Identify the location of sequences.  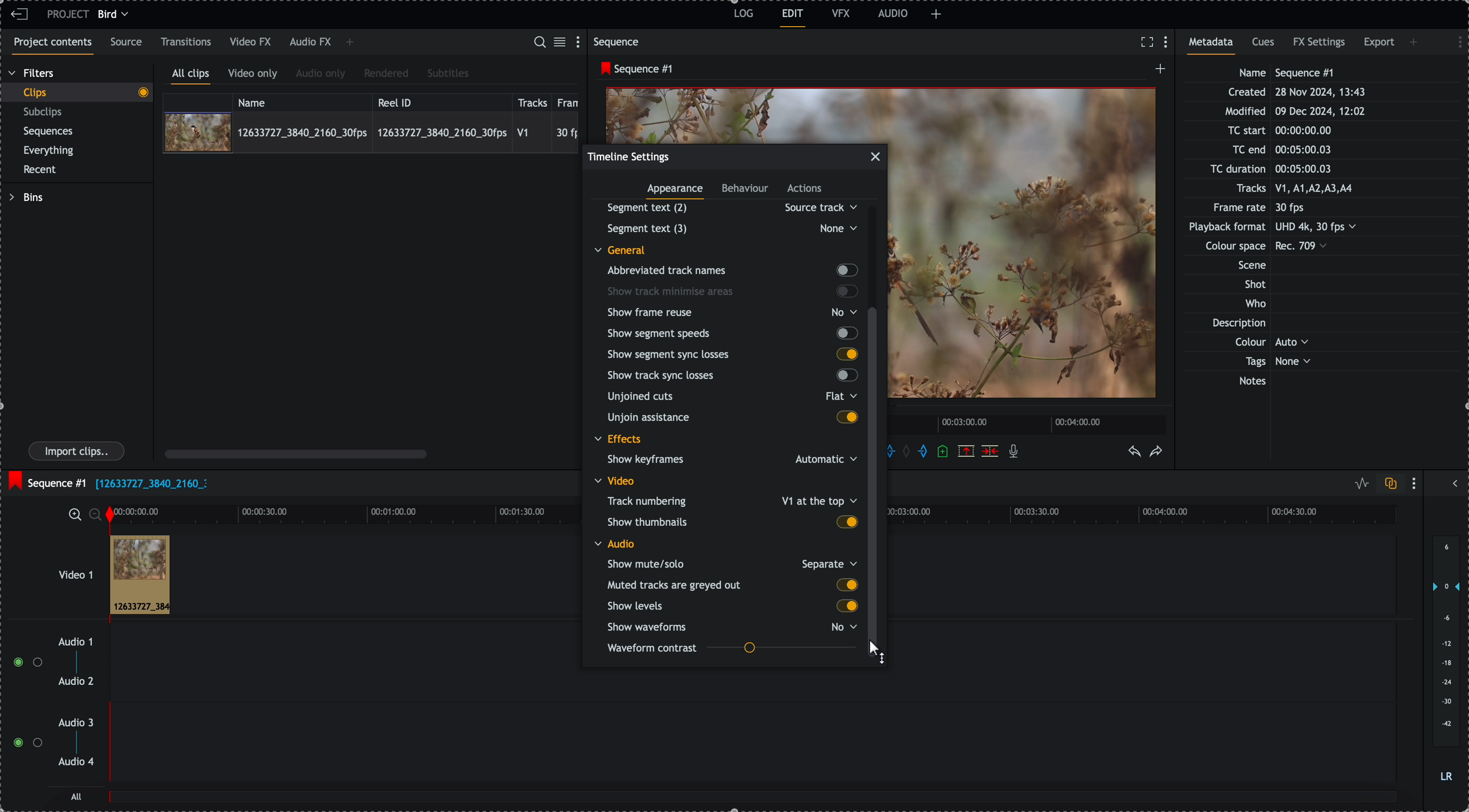
(48, 133).